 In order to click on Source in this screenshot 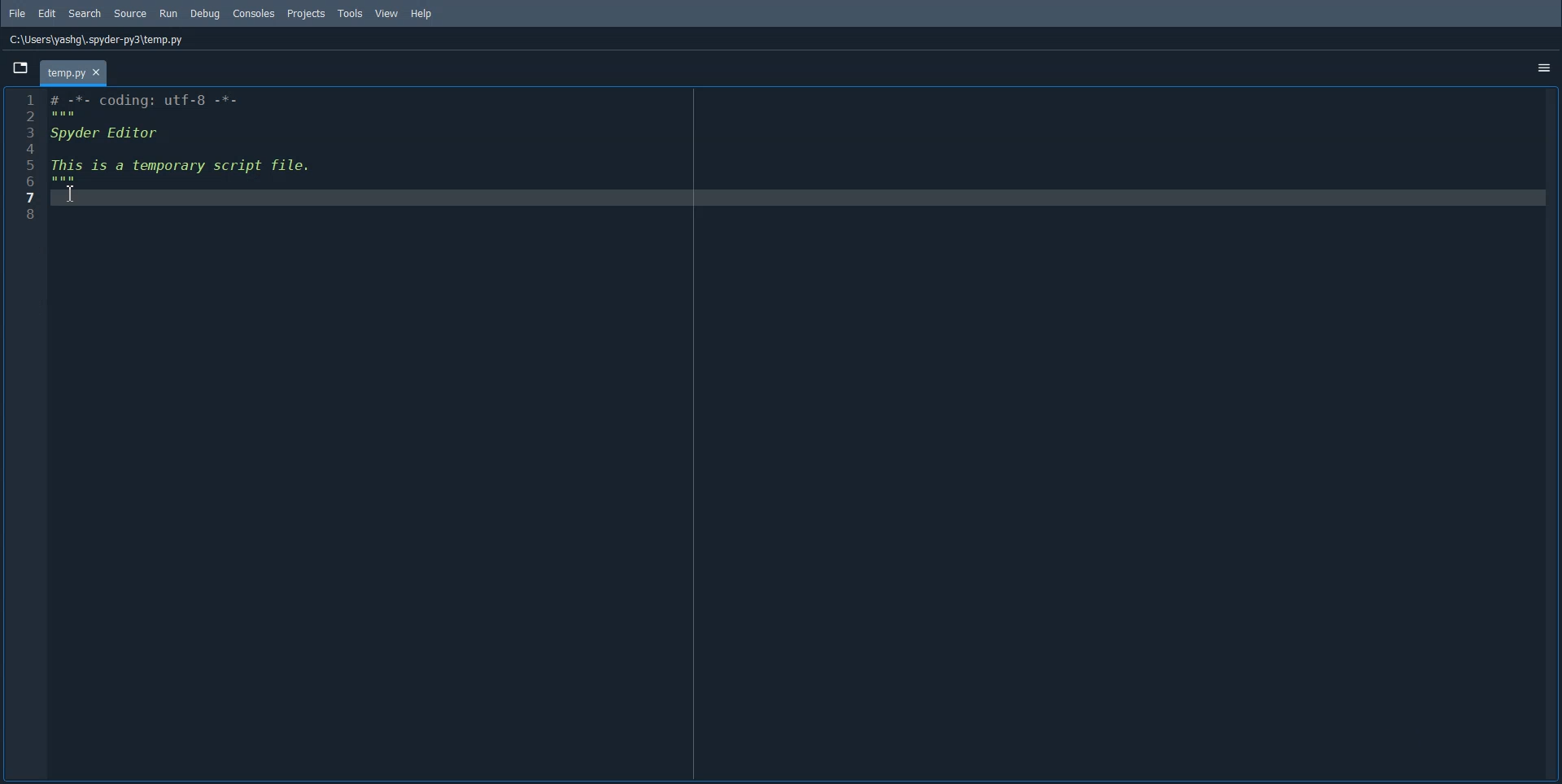, I will do `click(133, 14)`.